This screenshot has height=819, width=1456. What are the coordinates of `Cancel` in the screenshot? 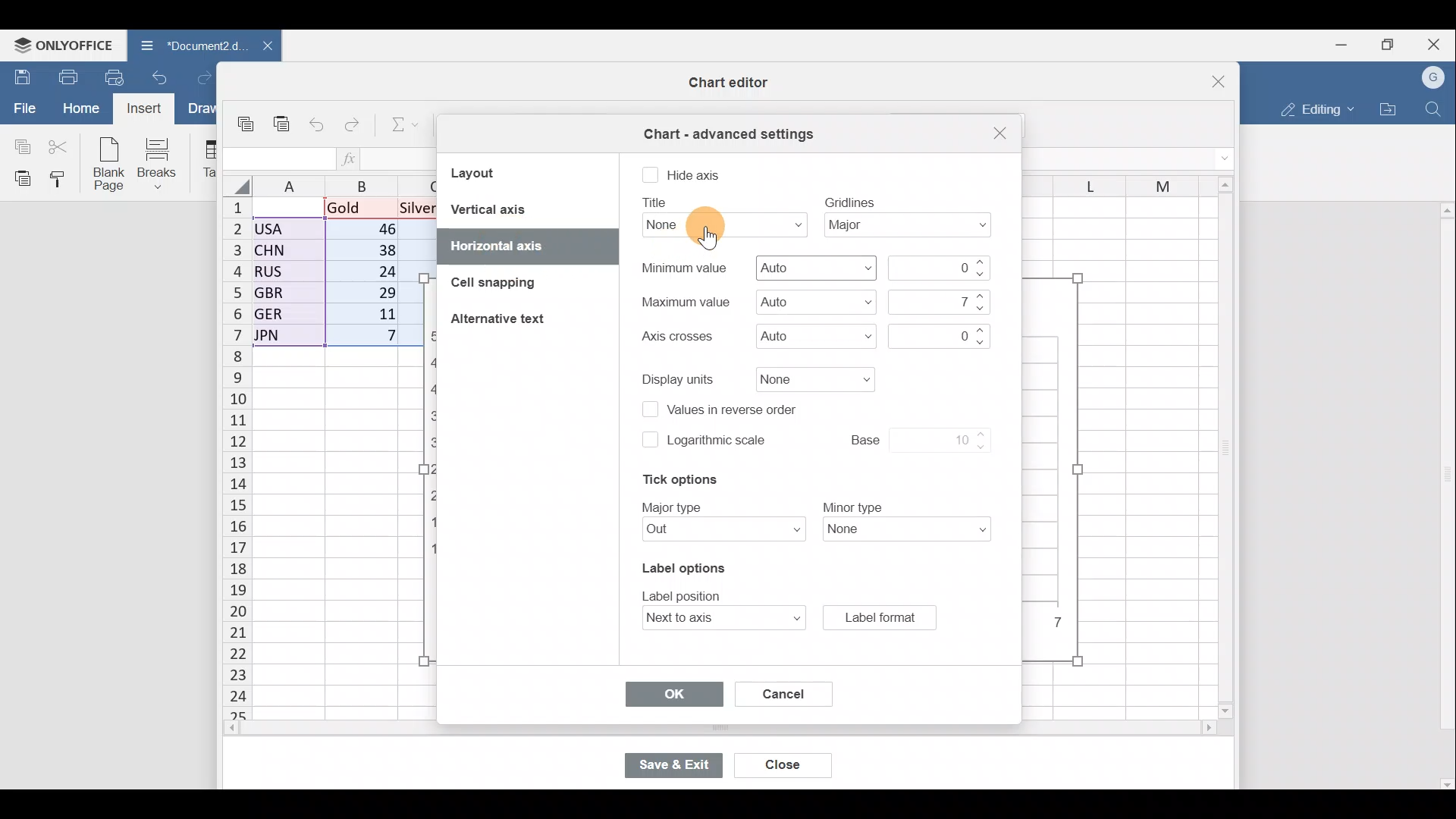 It's located at (777, 691).